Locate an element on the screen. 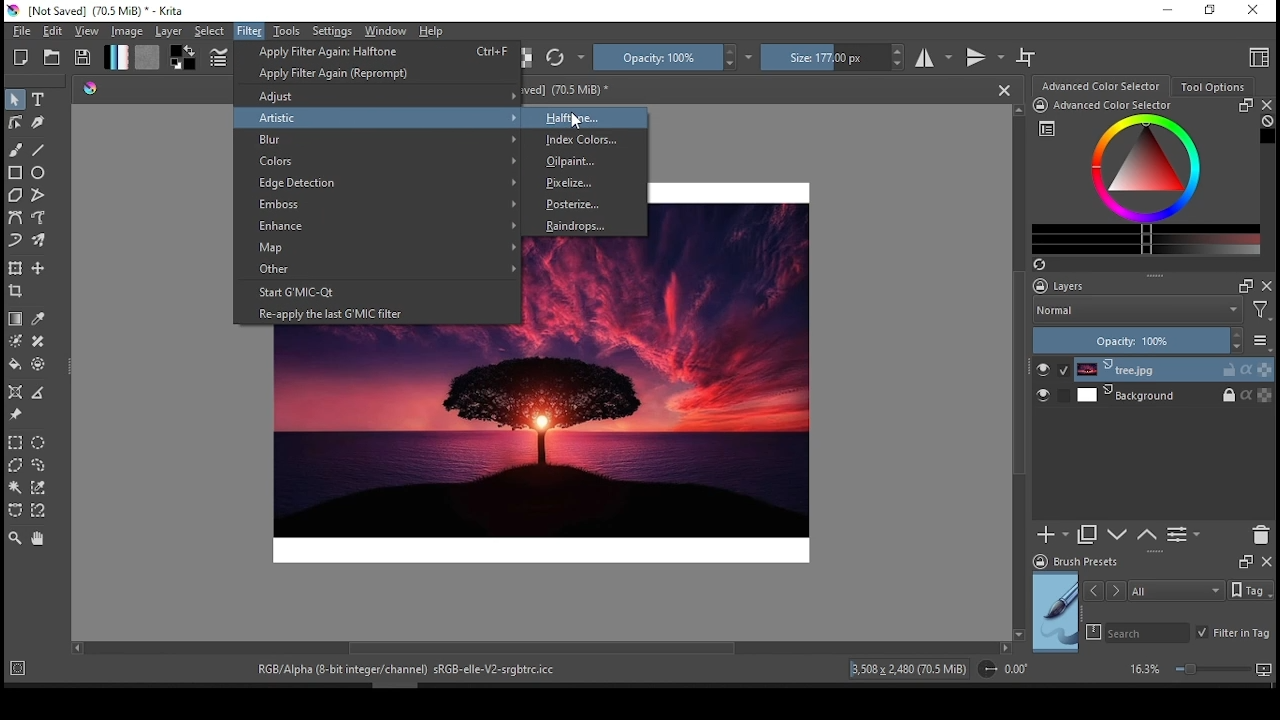 This screenshot has height=720, width=1280. rectangular selection tool is located at coordinates (16, 443).